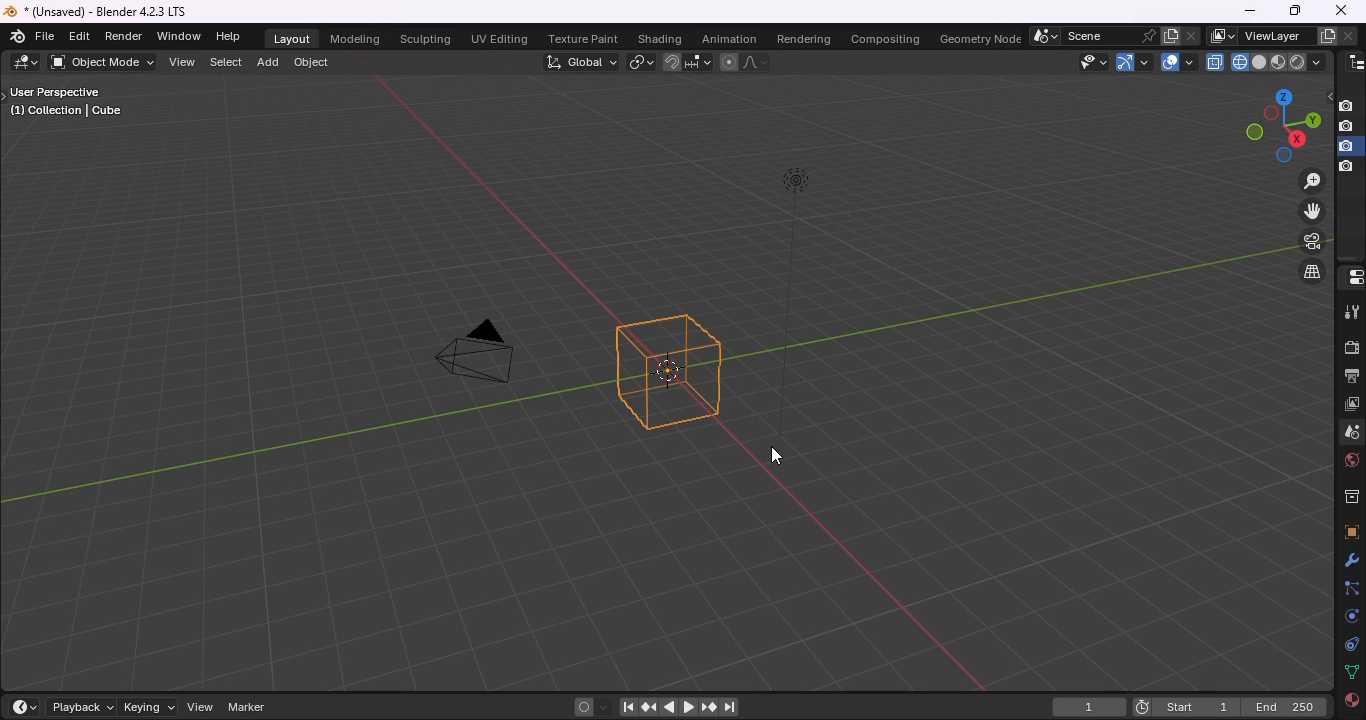 This screenshot has width=1366, height=720. What do you see at coordinates (1285, 709) in the screenshot?
I see `end 250` at bounding box center [1285, 709].